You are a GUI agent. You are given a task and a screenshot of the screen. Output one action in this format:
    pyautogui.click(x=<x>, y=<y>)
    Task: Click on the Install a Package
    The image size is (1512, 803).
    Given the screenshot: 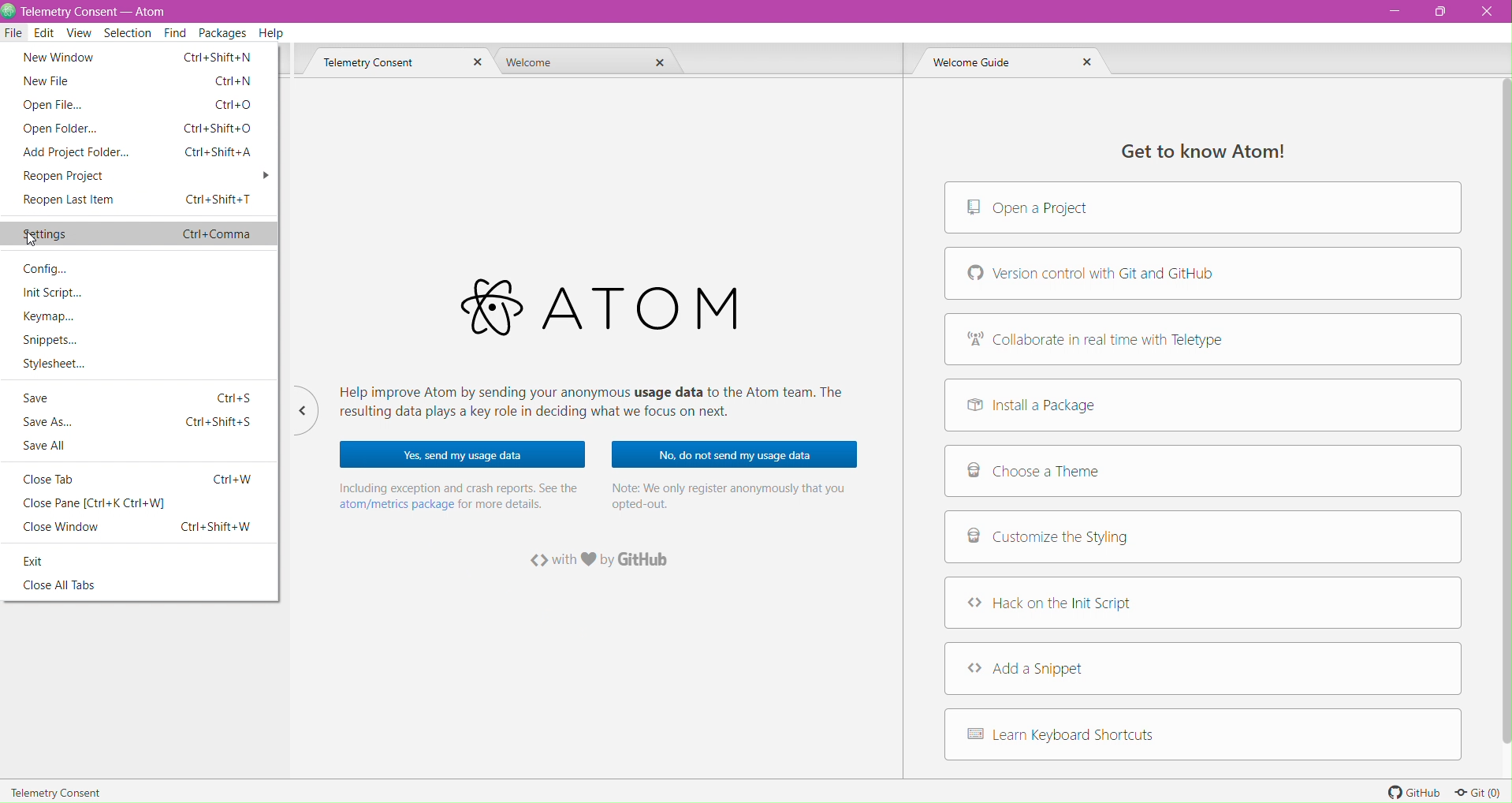 What is the action you would take?
    pyautogui.click(x=1202, y=405)
    